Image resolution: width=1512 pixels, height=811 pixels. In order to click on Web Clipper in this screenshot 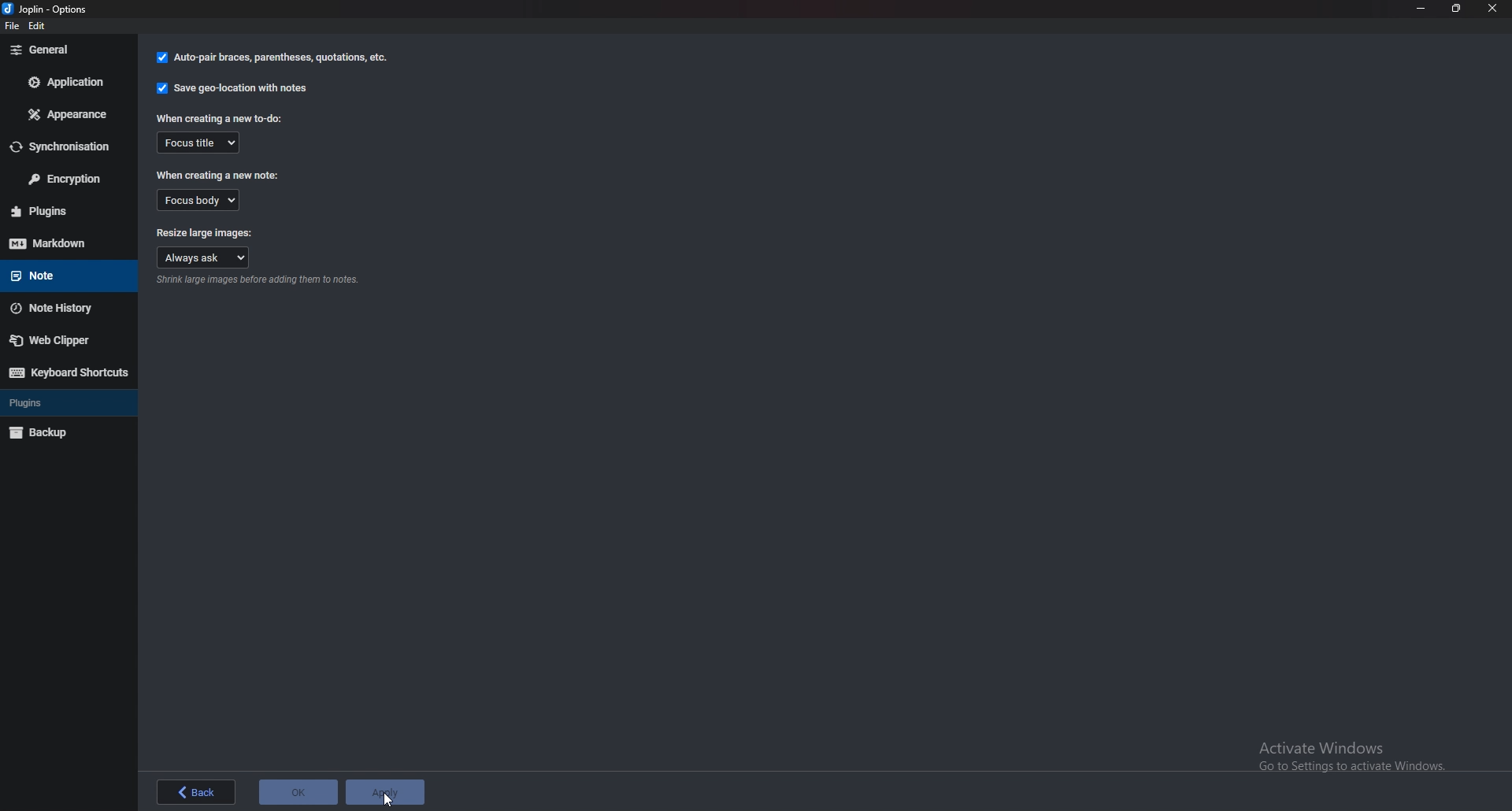, I will do `click(67, 339)`.